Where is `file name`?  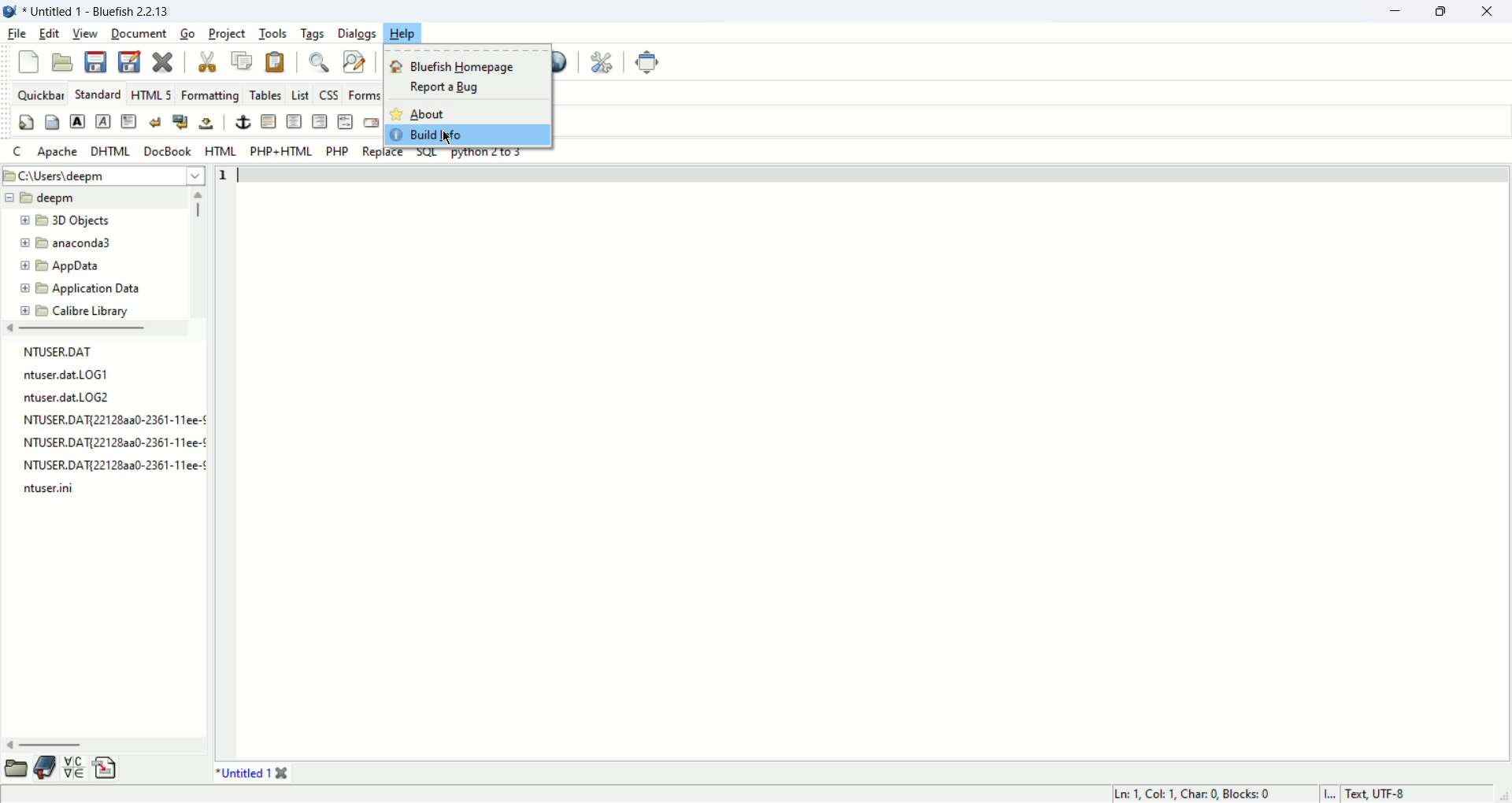 file name is located at coordinates (112, 419).